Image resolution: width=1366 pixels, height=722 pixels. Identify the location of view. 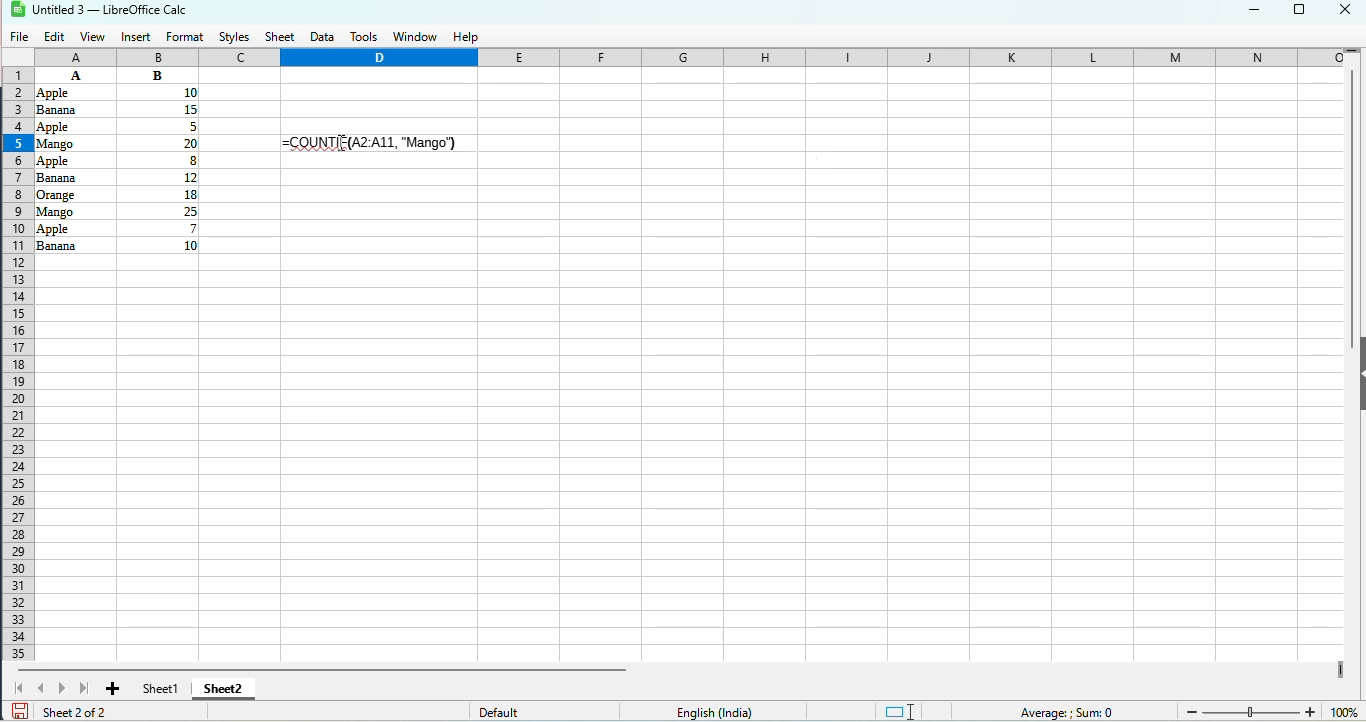
(92, 38).